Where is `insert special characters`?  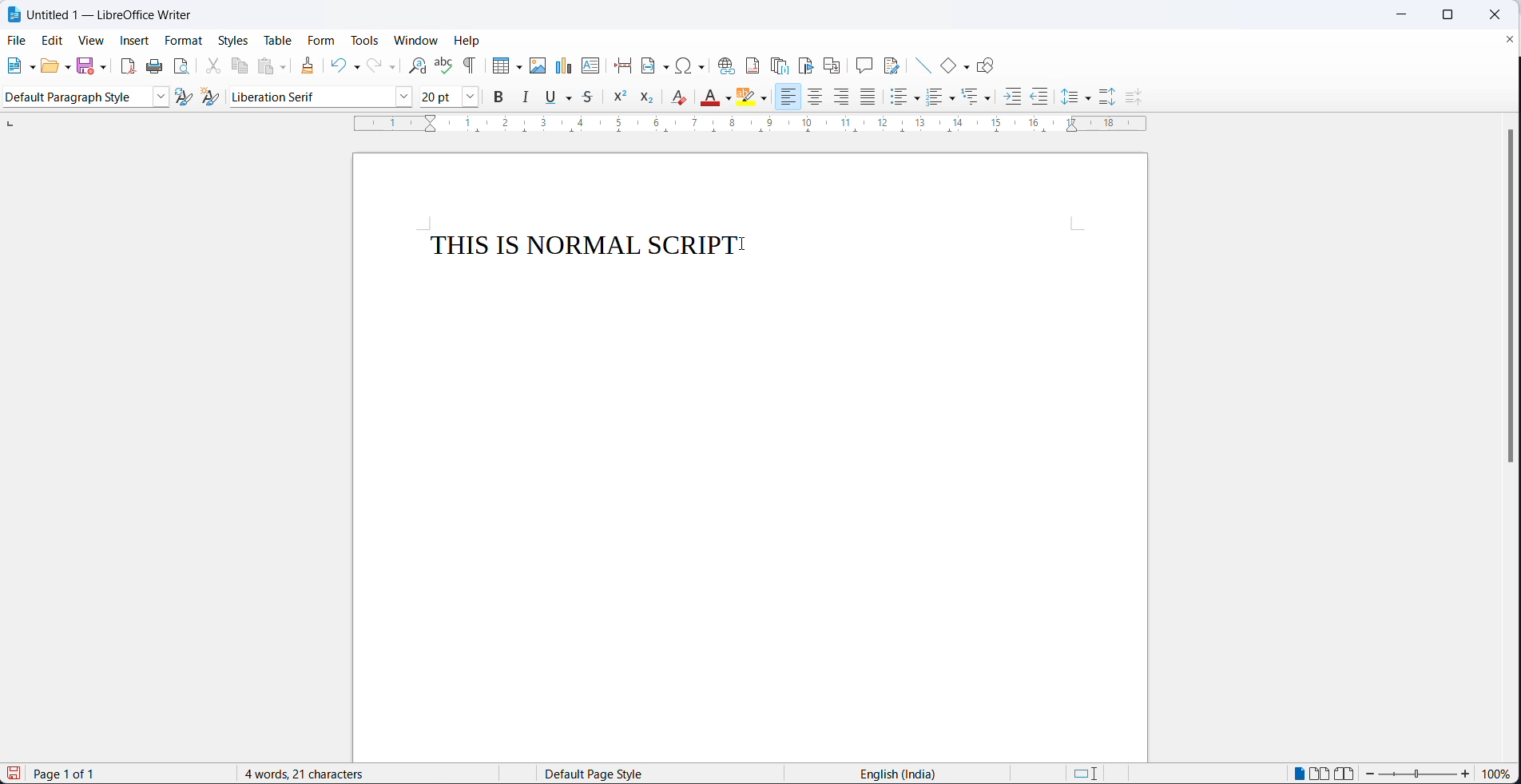
insert special characters is located at coordinates (693, 65).